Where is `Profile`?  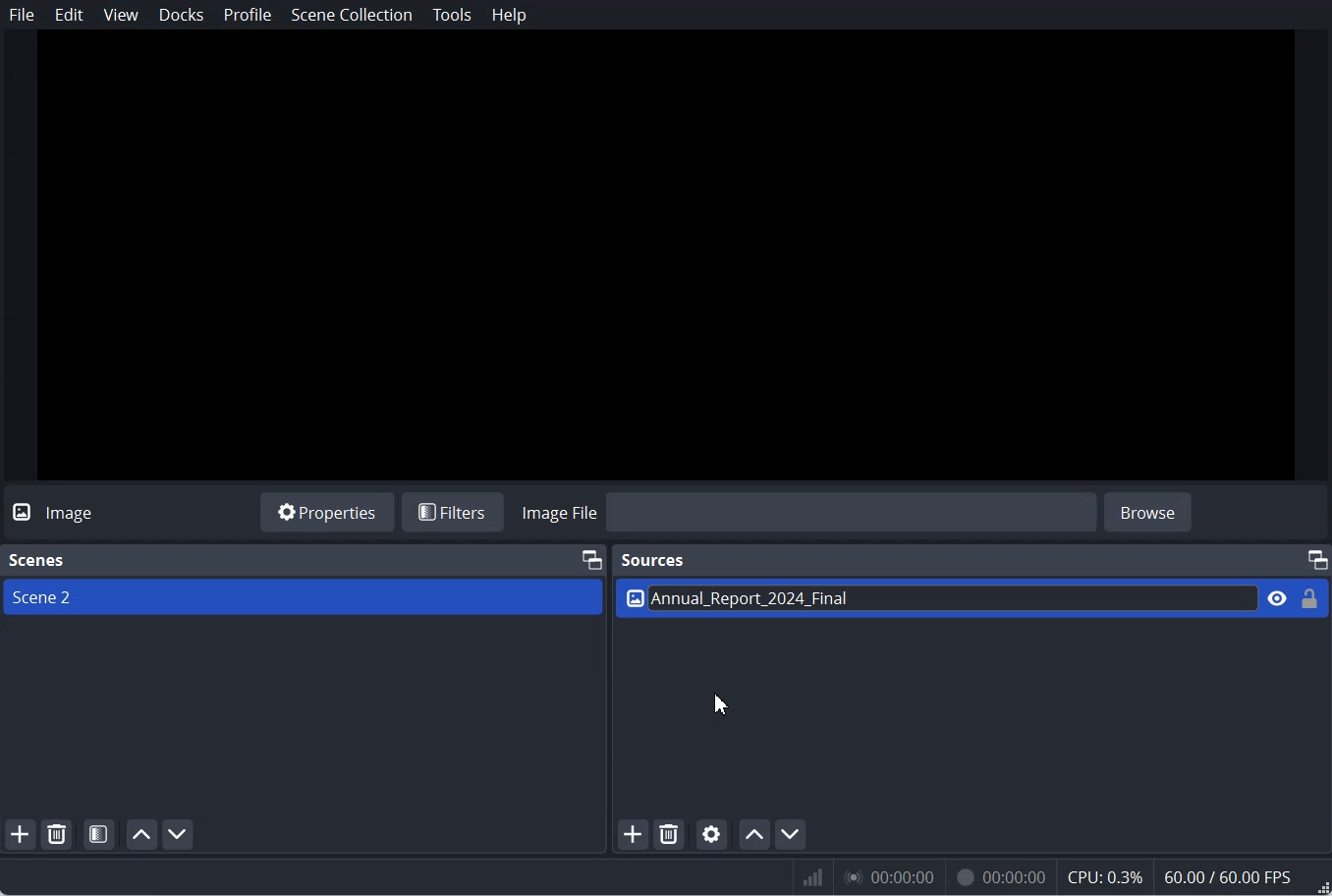
Profile is located at coordinates (247, 16).